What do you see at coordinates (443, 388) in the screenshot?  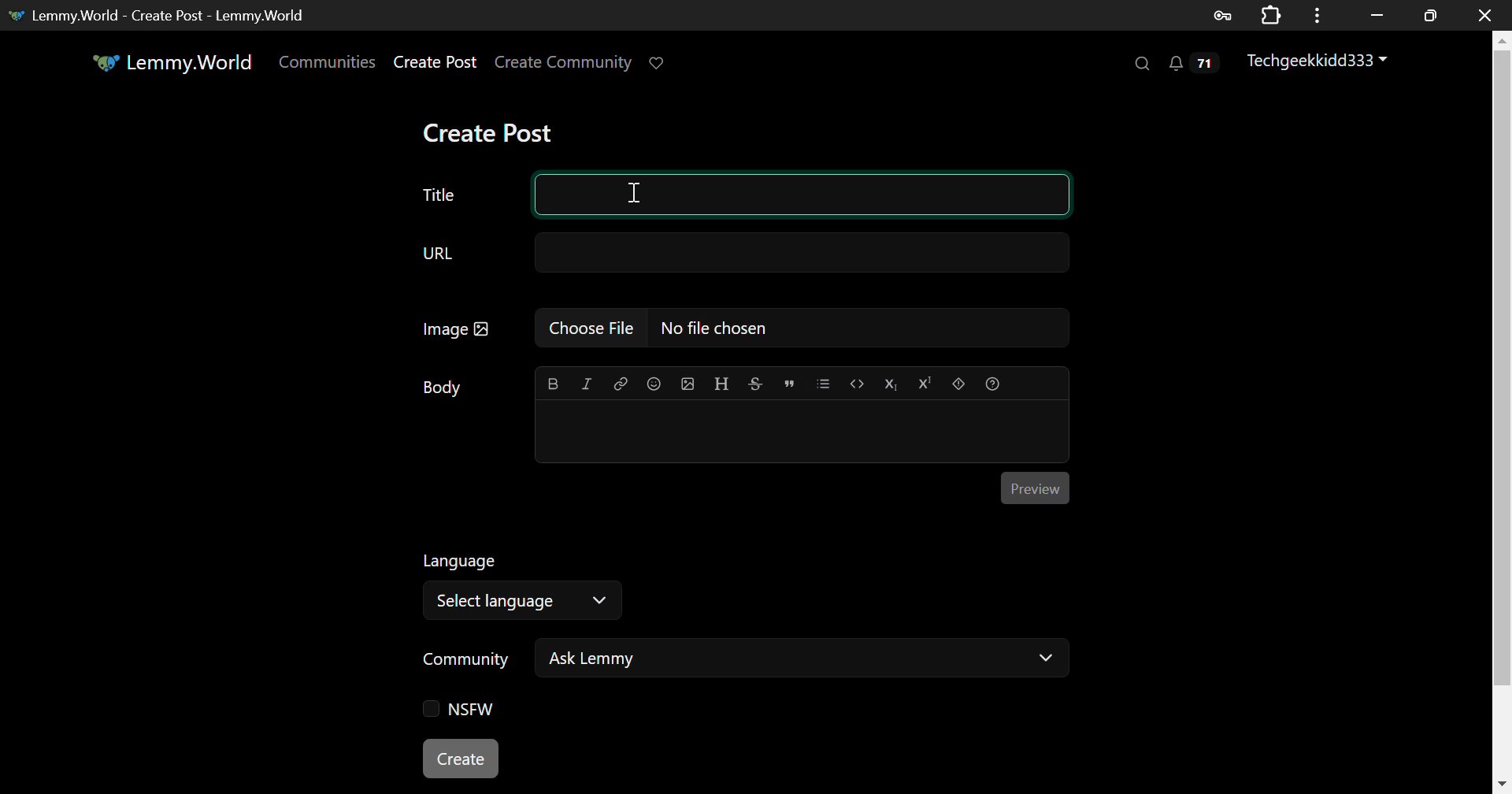 I see `Body` at bounding box center [443, 388].